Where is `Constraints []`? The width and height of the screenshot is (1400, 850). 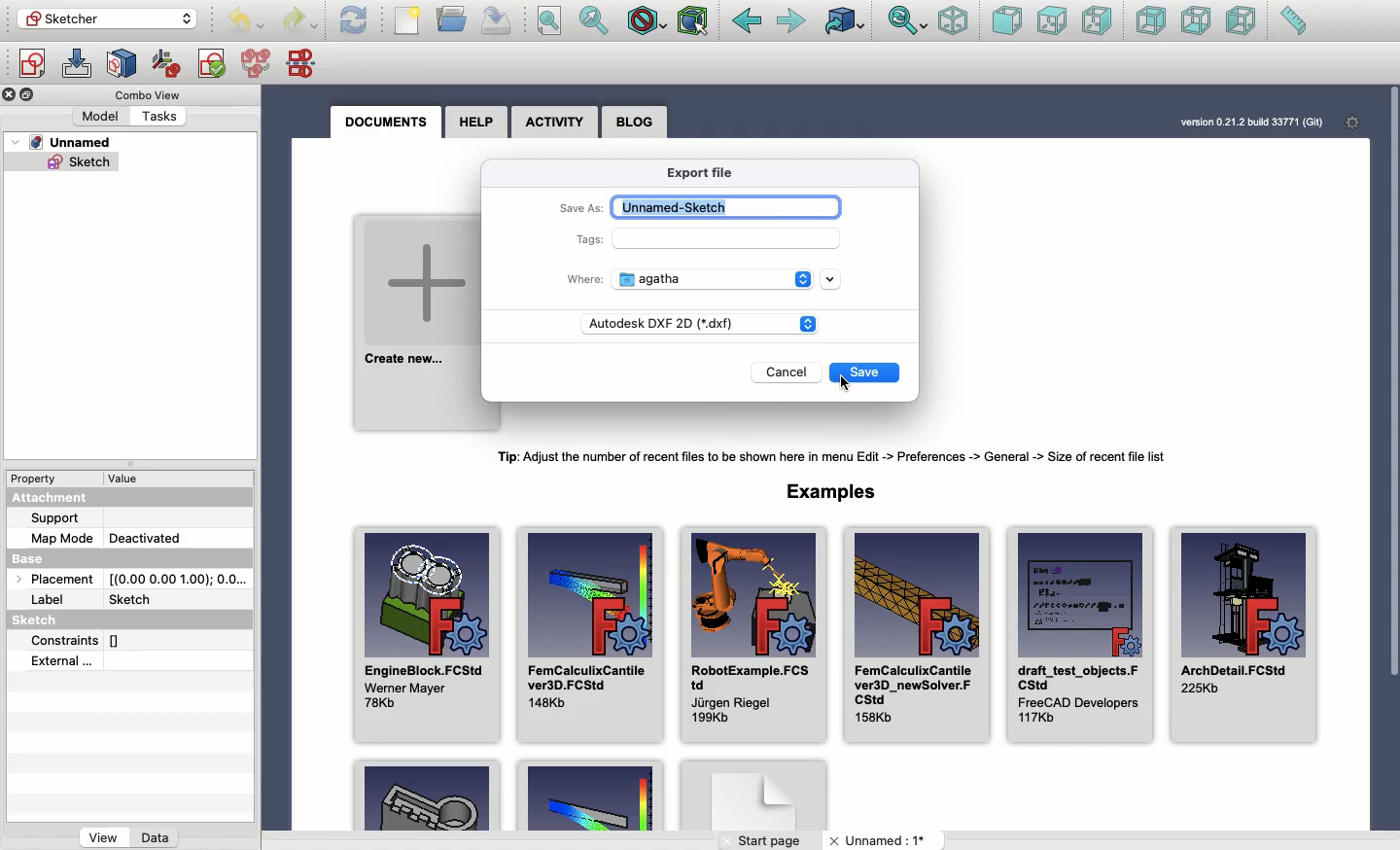
Constraints [] is located at coordinates (82, 640).